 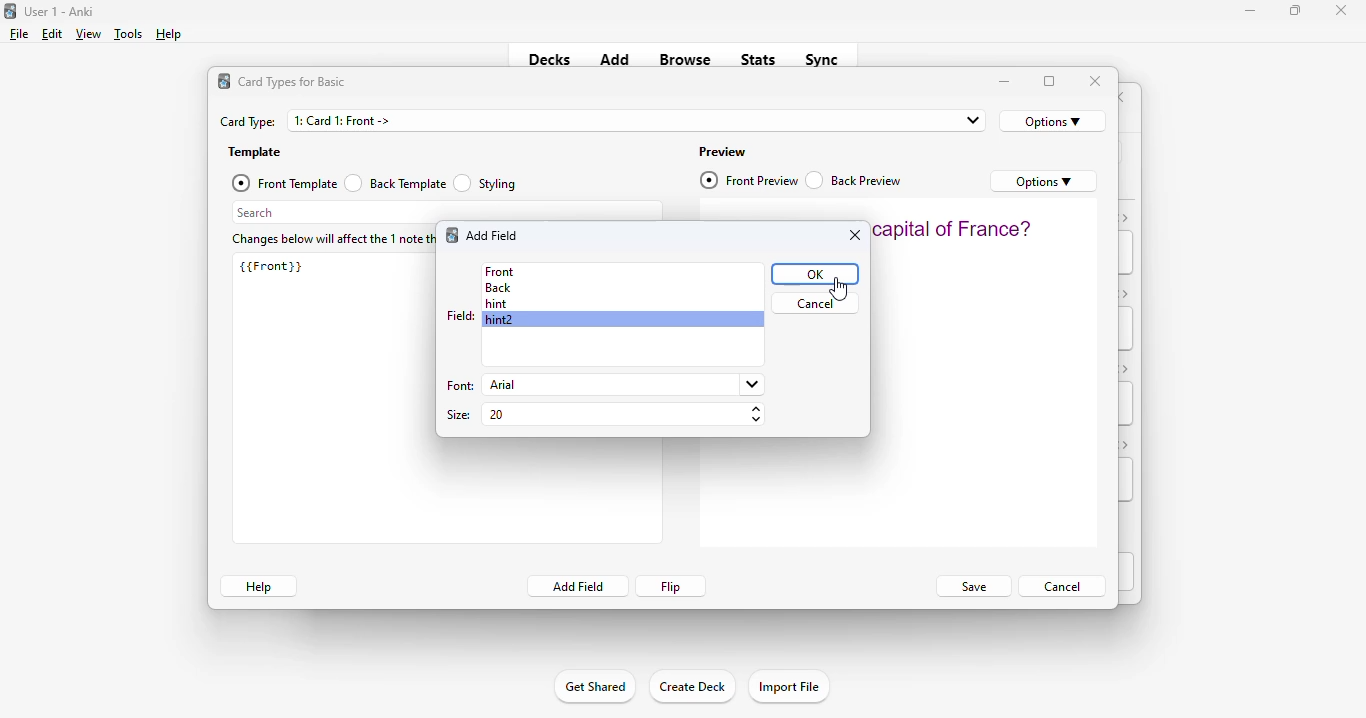 What do you see at coordinates (1341, 10) in the screenshot?
I see `close` at bounding box center [1341, 10].